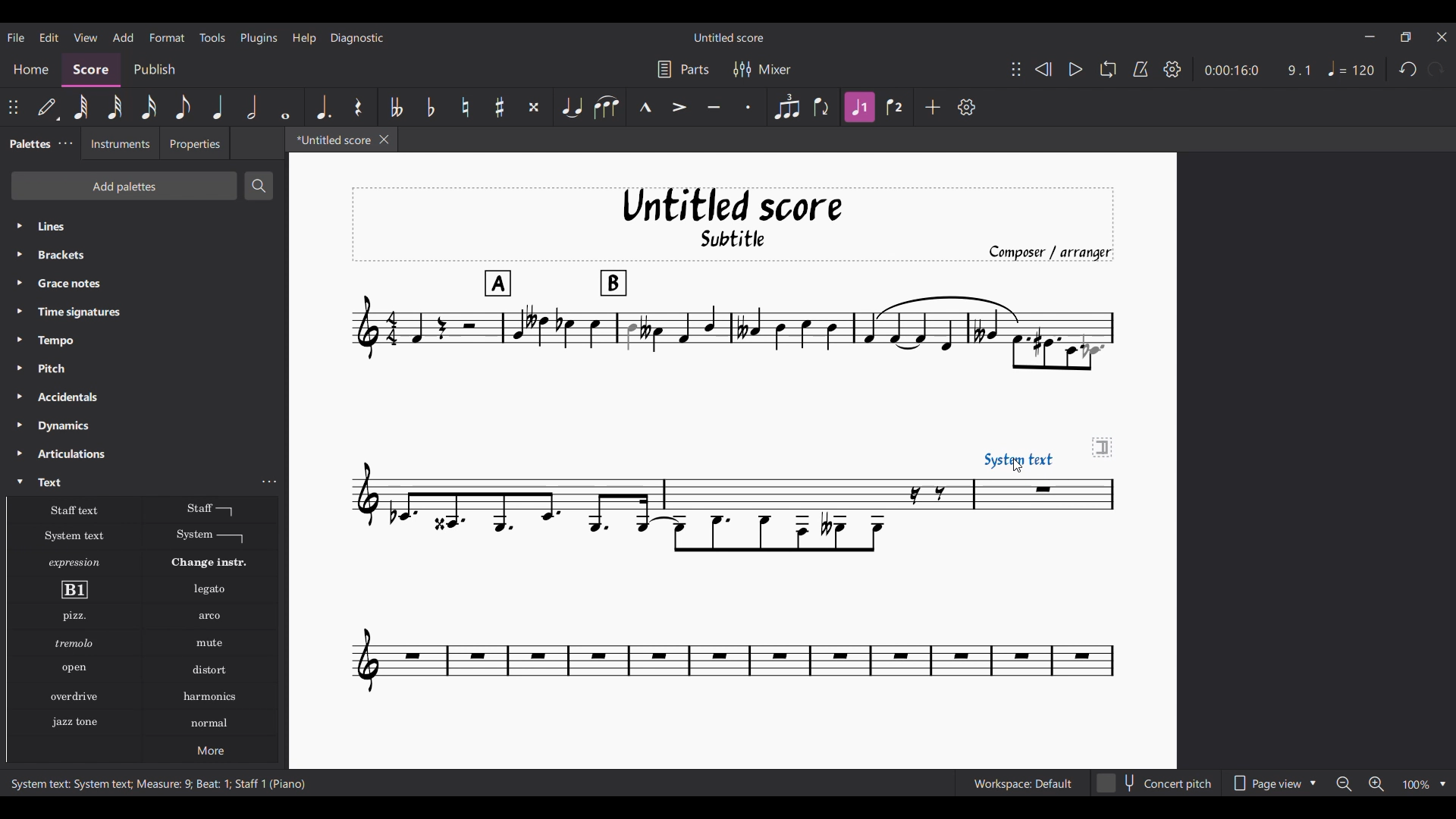 Image resolution: width=1456 pixels, height=819 pixels. I want to click on Tools menu, so click(212, 37).